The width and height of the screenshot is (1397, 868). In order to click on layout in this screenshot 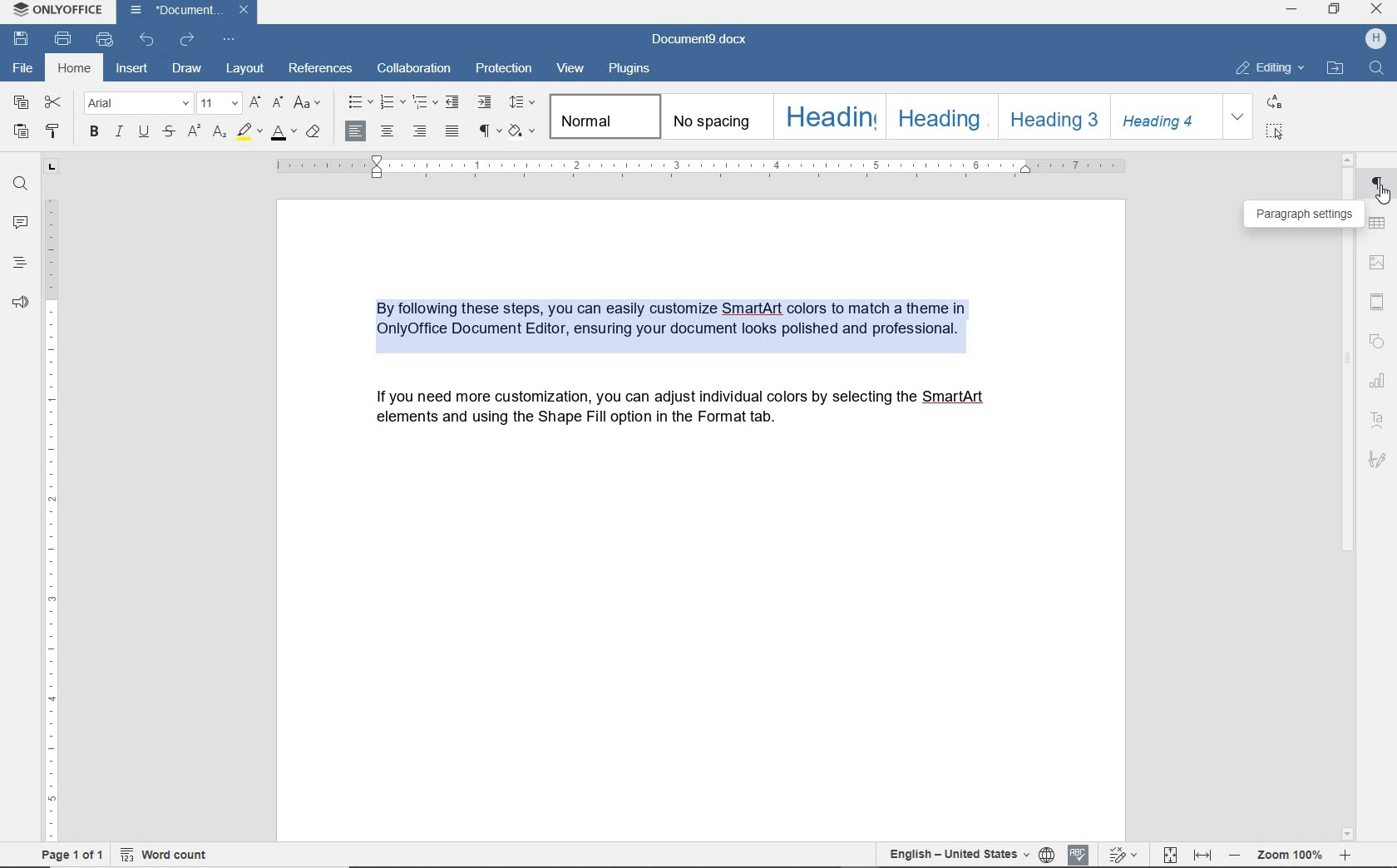, I will do `click(244, 67)`.